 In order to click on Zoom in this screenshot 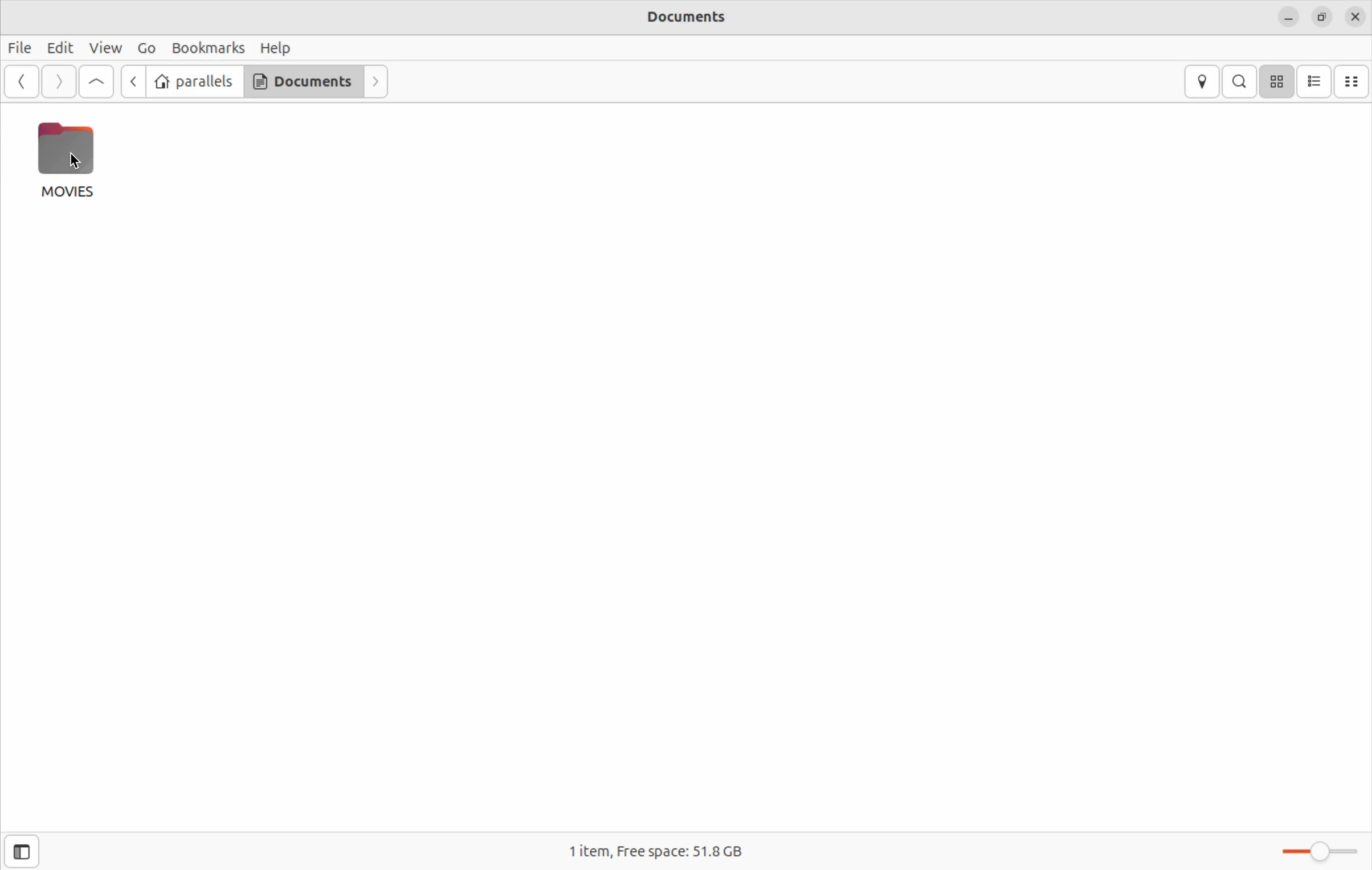, I will do `click(1316, 852)`.